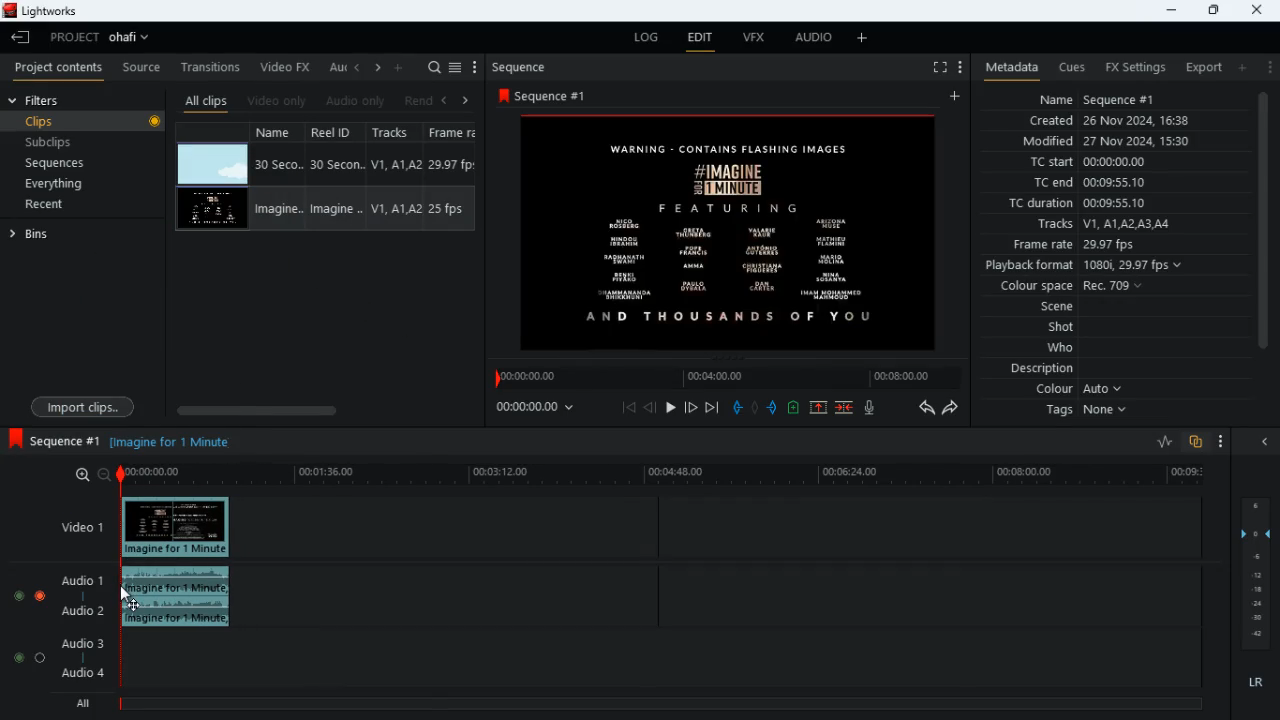  What do you see at coordinates (1168, 10) in the screenshot?
I see `minimize` at bounding box center [1168, 10].